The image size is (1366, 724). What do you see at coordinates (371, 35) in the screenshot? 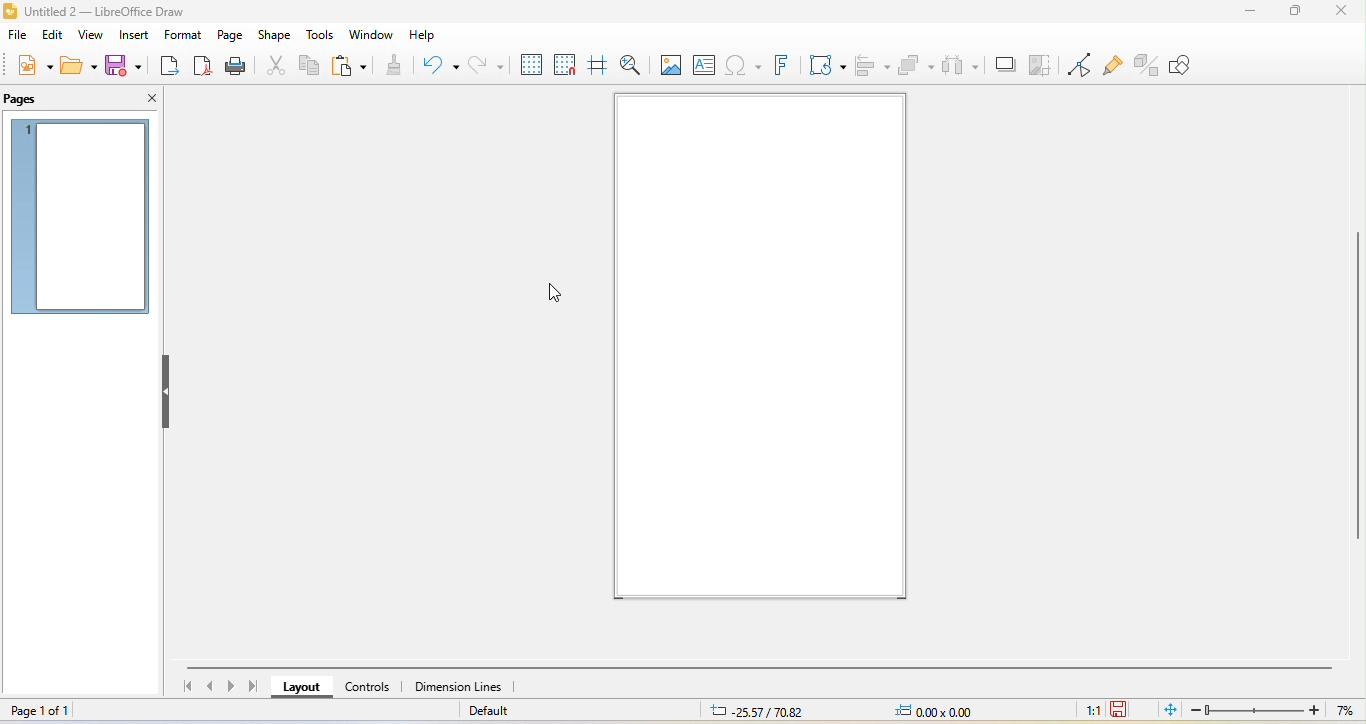
I see `window` at bounding box center [371, 35].